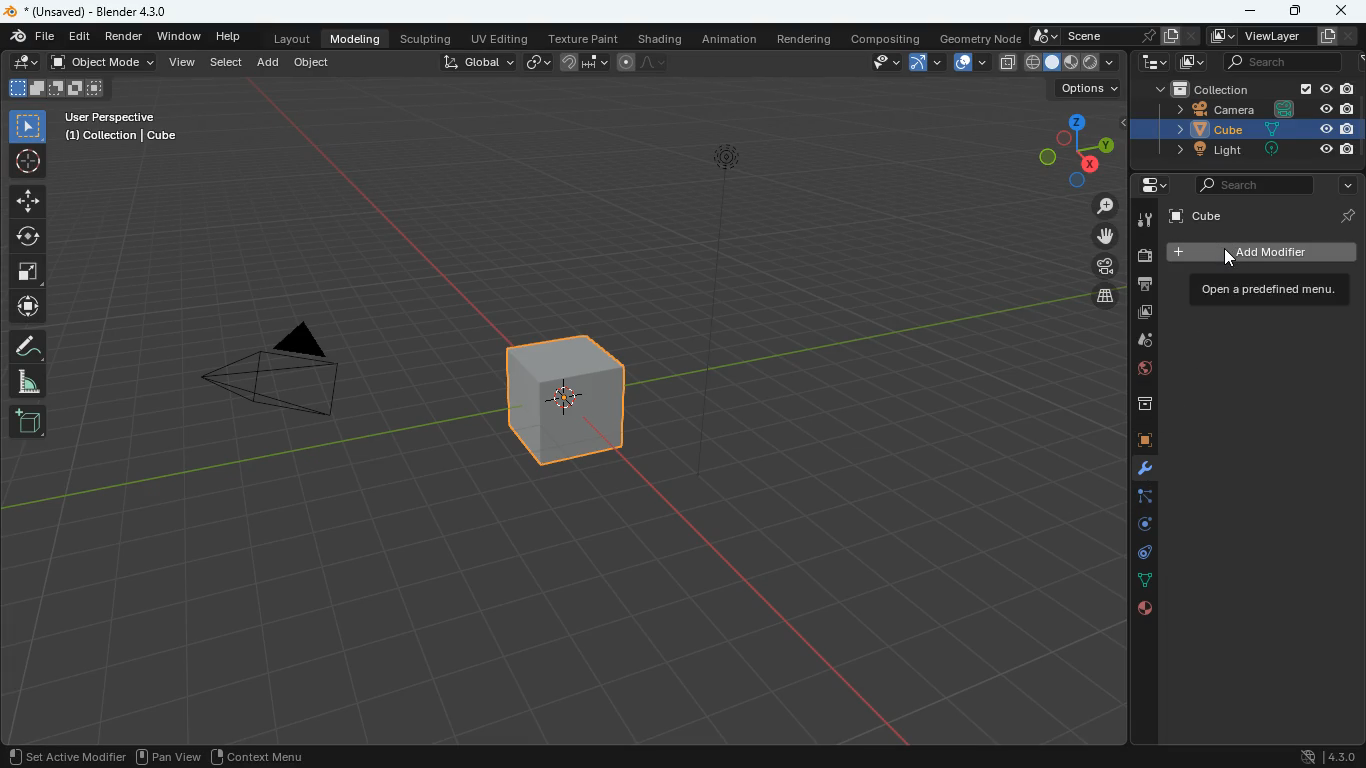 The width and height of the screenshot is (1366, 768). What do you see at coordinates (313, 61) in the screenshot?
I see `object` at bounding box center [313, 61].